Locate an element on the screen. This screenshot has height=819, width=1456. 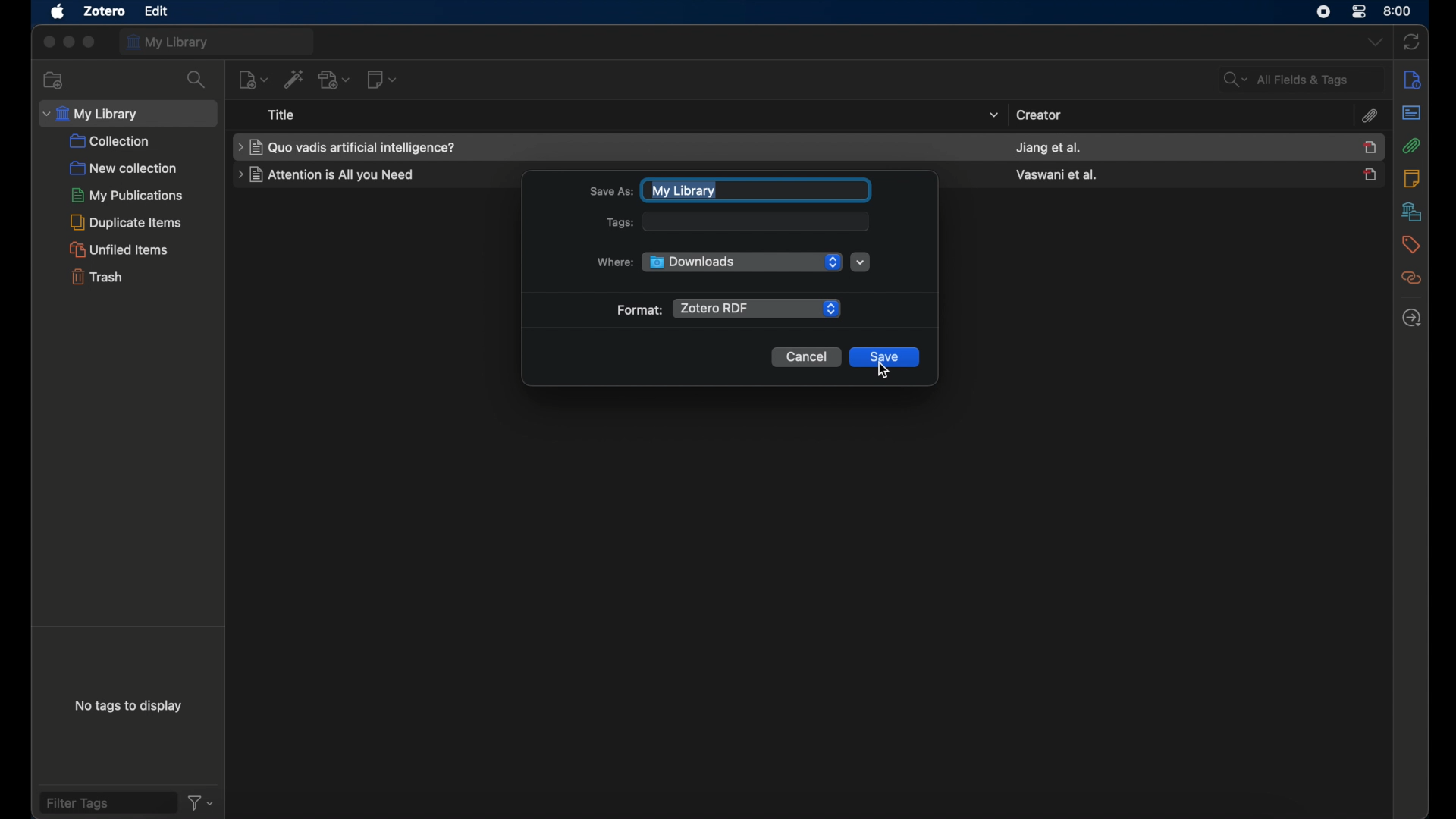
dropdown menu is located at coordinates (1373, 42).